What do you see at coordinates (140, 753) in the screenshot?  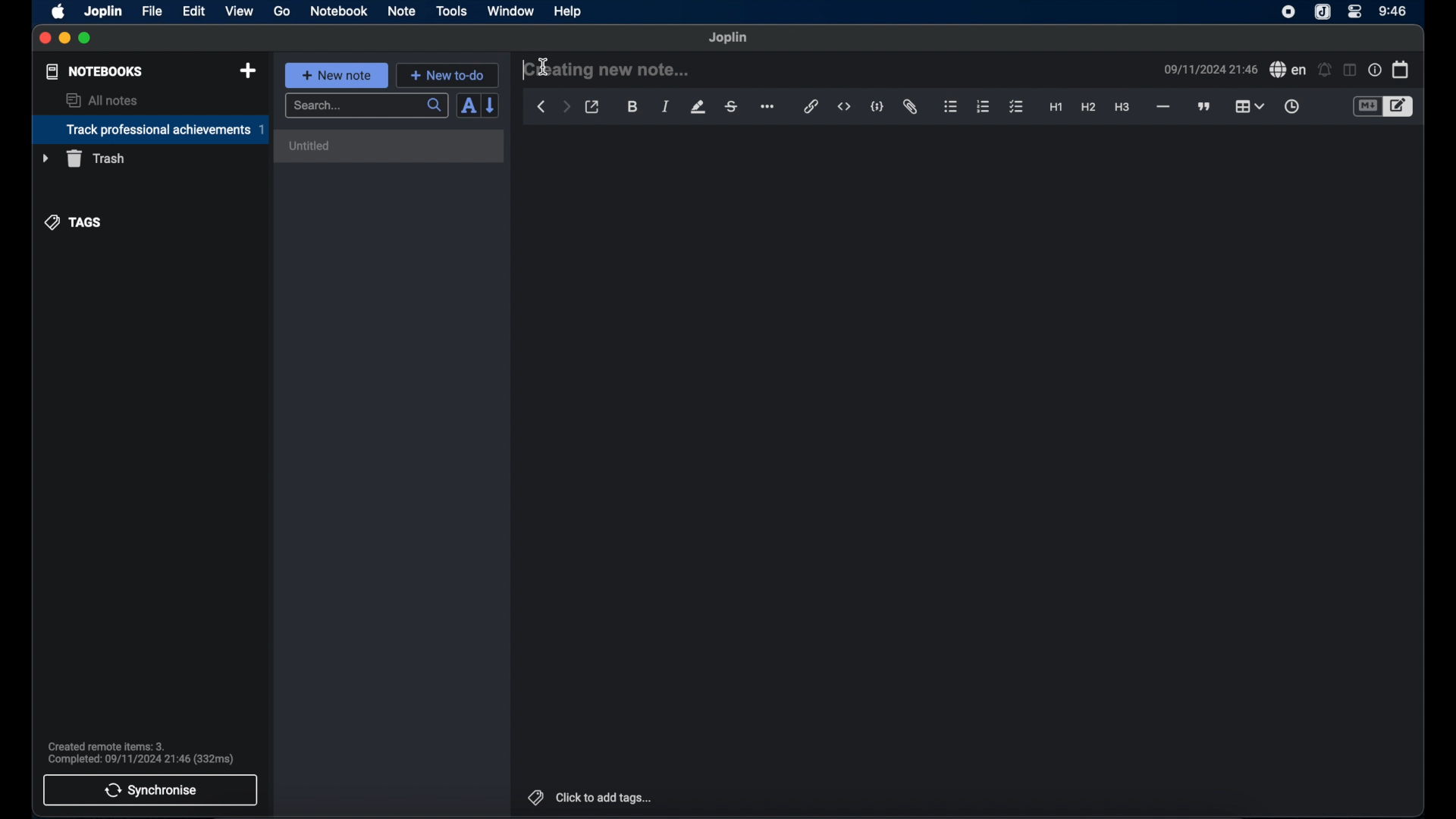 I see `sync notification` at bounding box center [140, 753].